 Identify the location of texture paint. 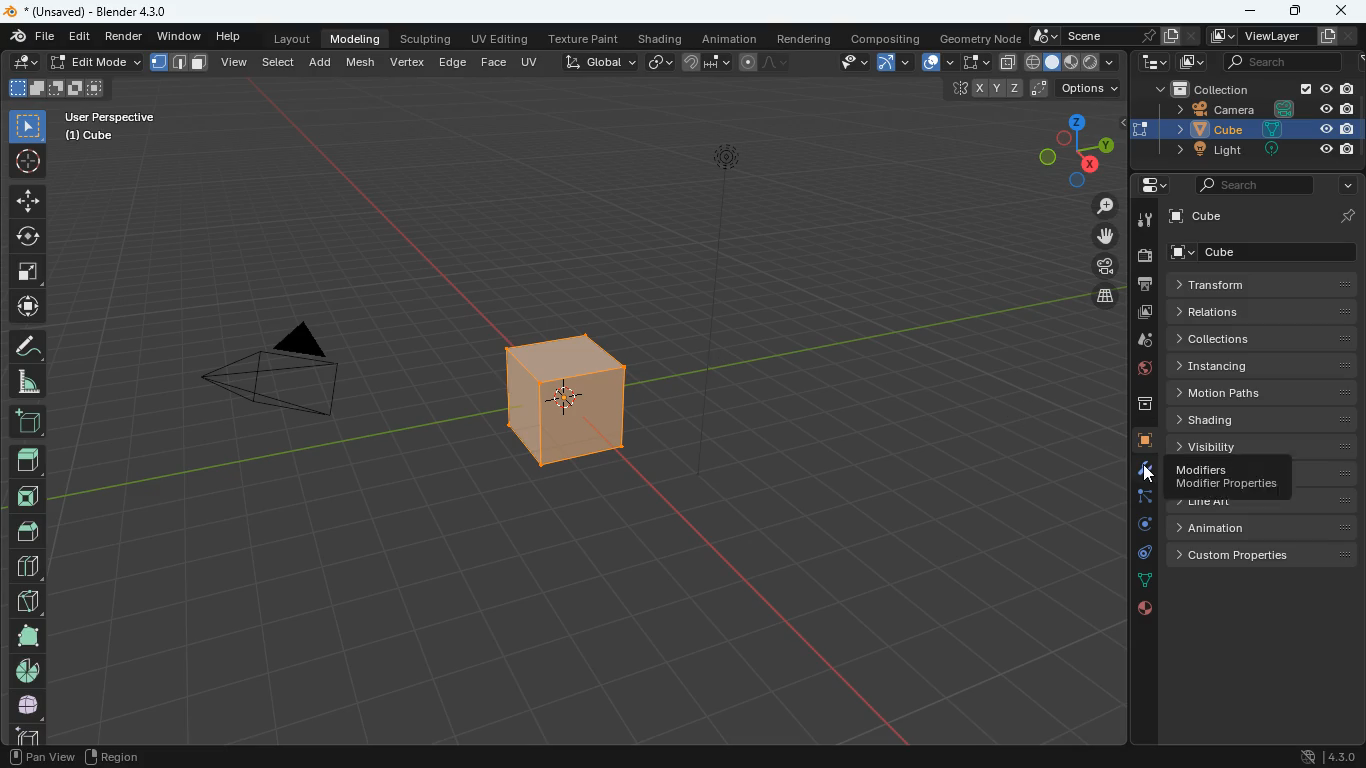
(586, 38).